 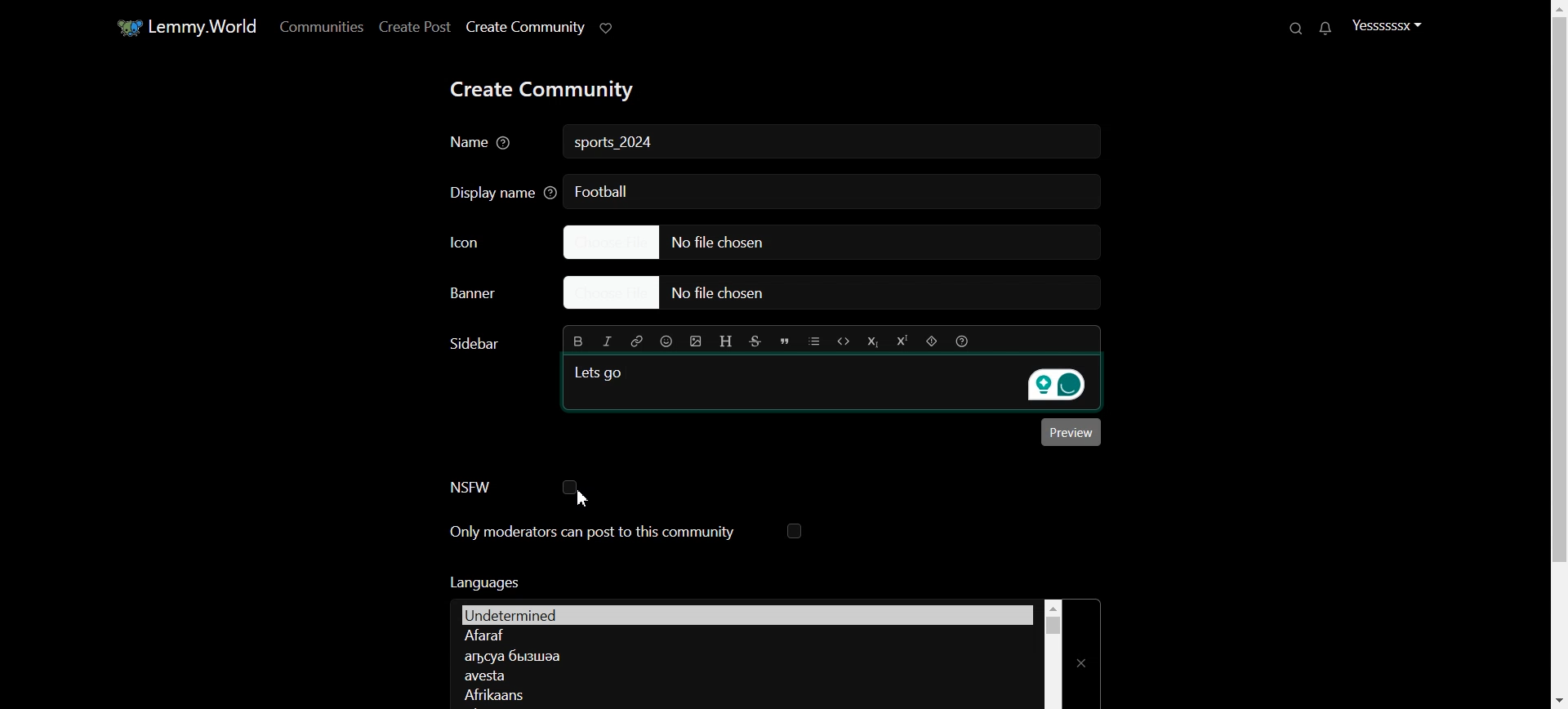 I want to click on Text, so click(x=483, y=582).